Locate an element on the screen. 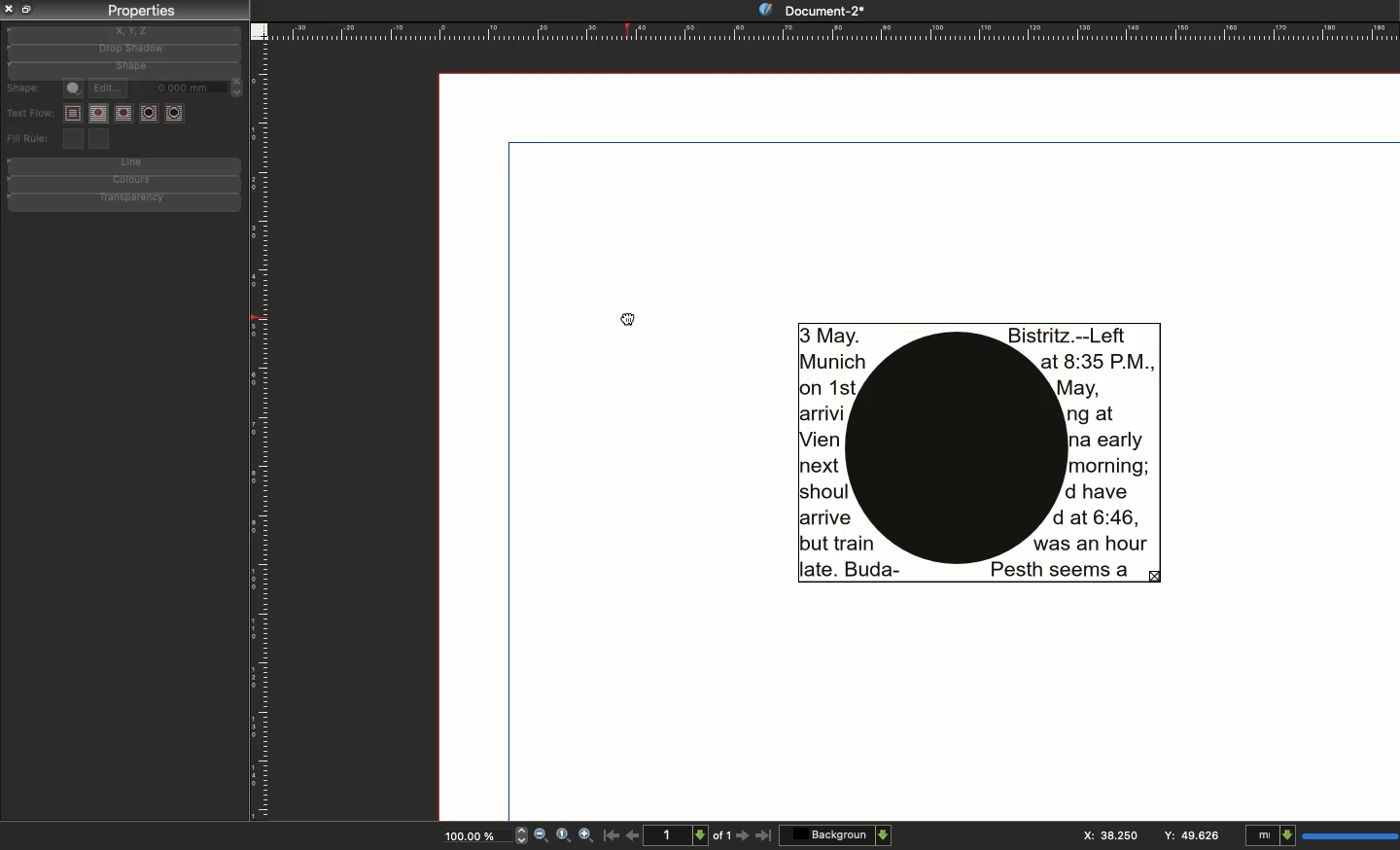 The image size is (1400, 850). Cursor is located at coordinates (638, 319).